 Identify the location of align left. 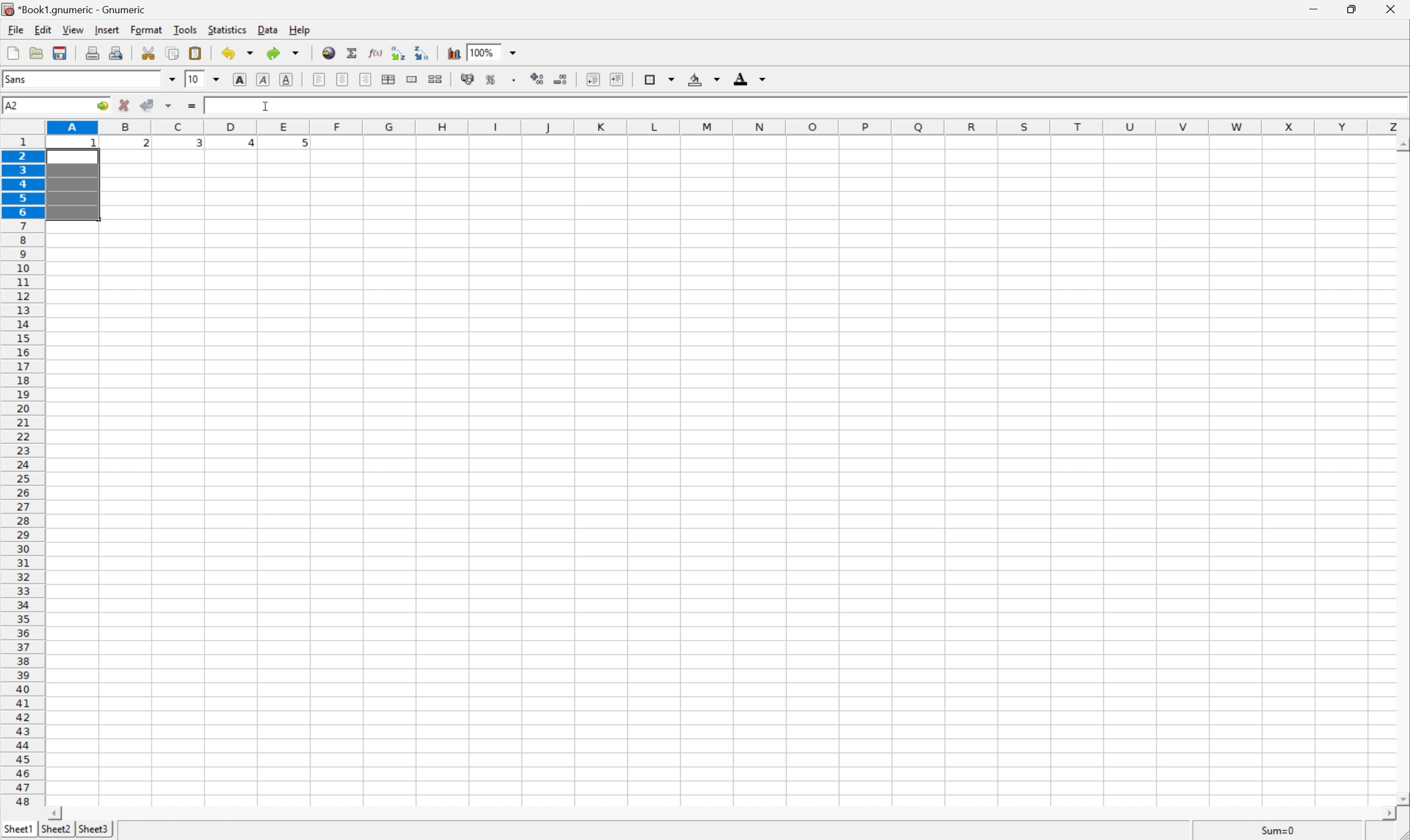
(320, 79).